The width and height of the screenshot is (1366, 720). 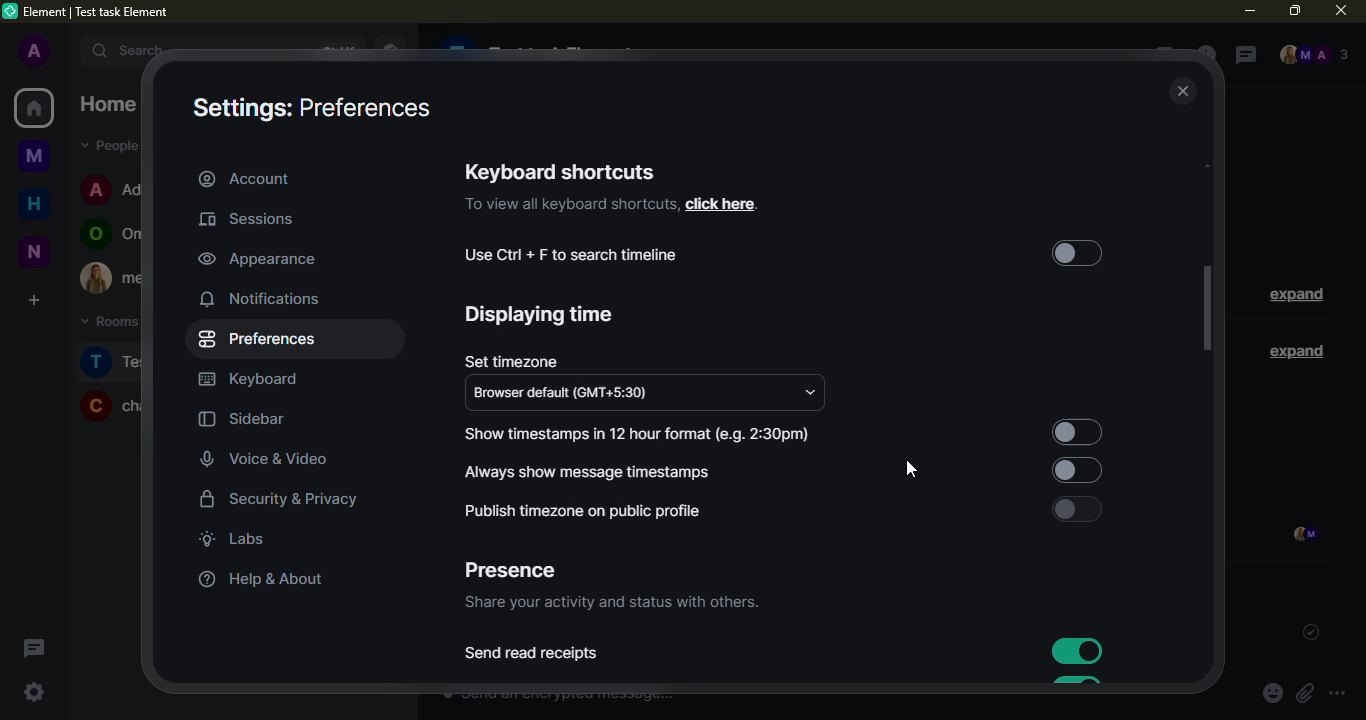 I want to click on expand, so click(x=1296, y=296).